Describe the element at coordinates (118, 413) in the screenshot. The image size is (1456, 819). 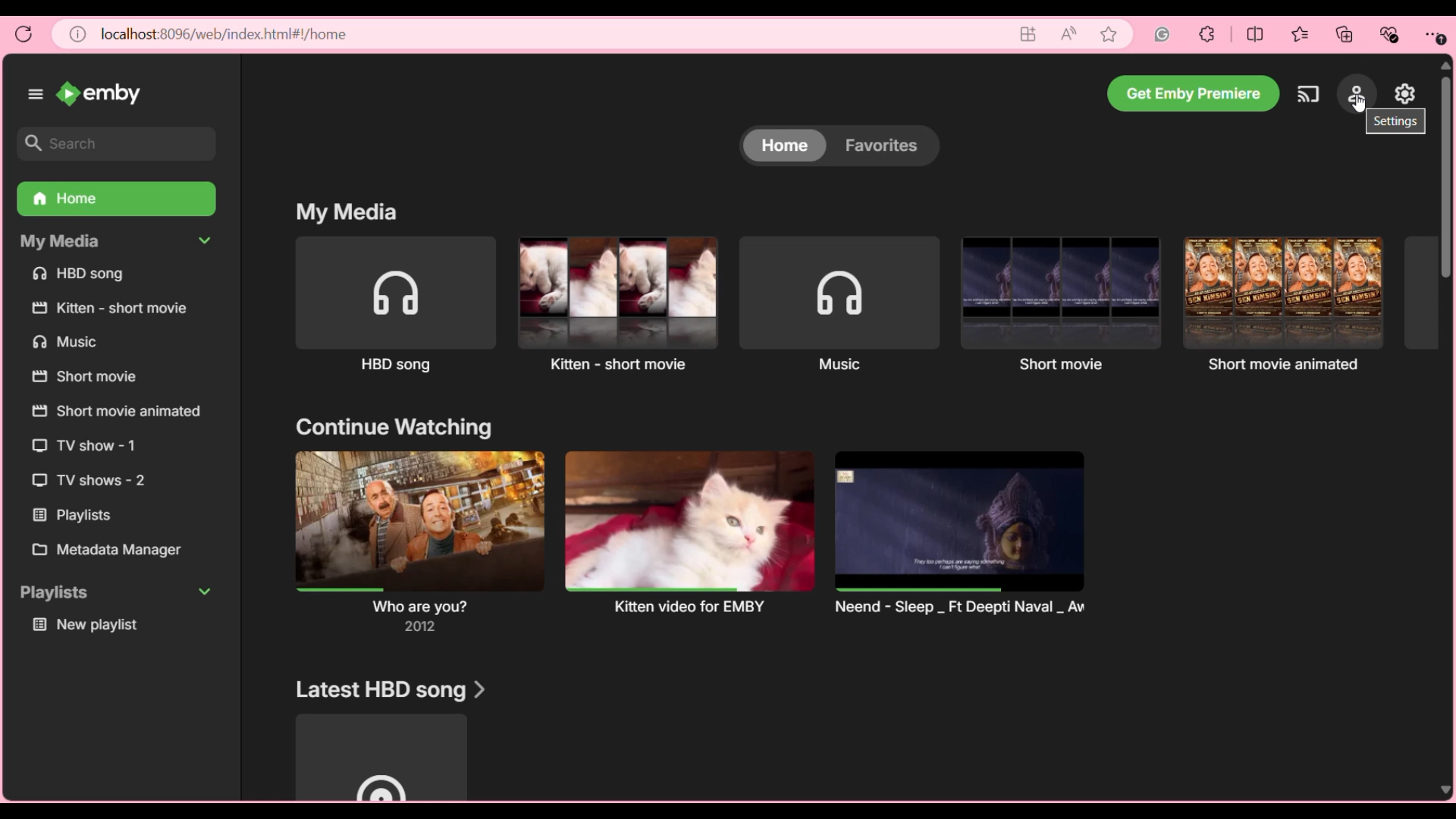
I see `short movie animated` at that location.